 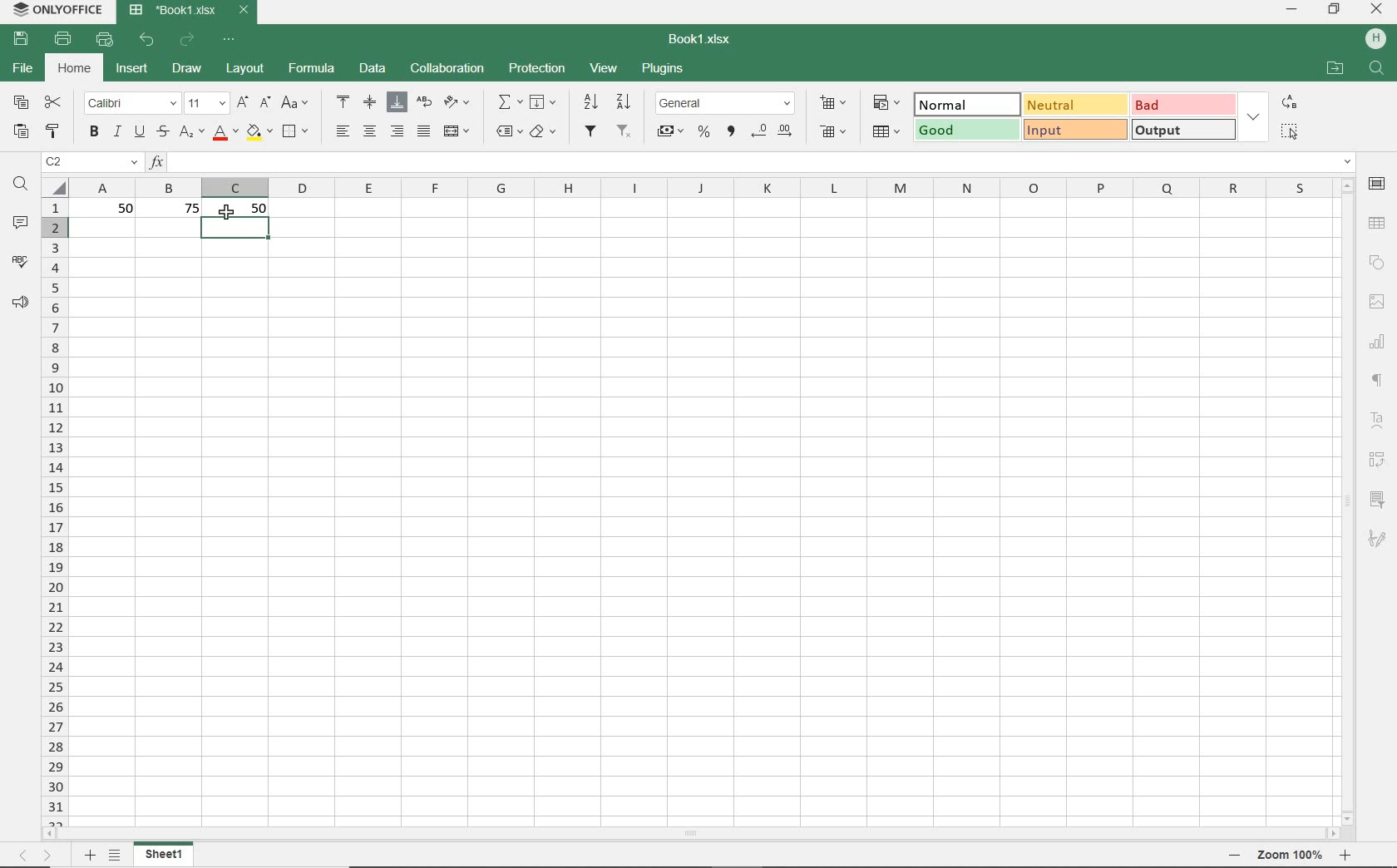 I want to click on home, so click(x=77, y=71).